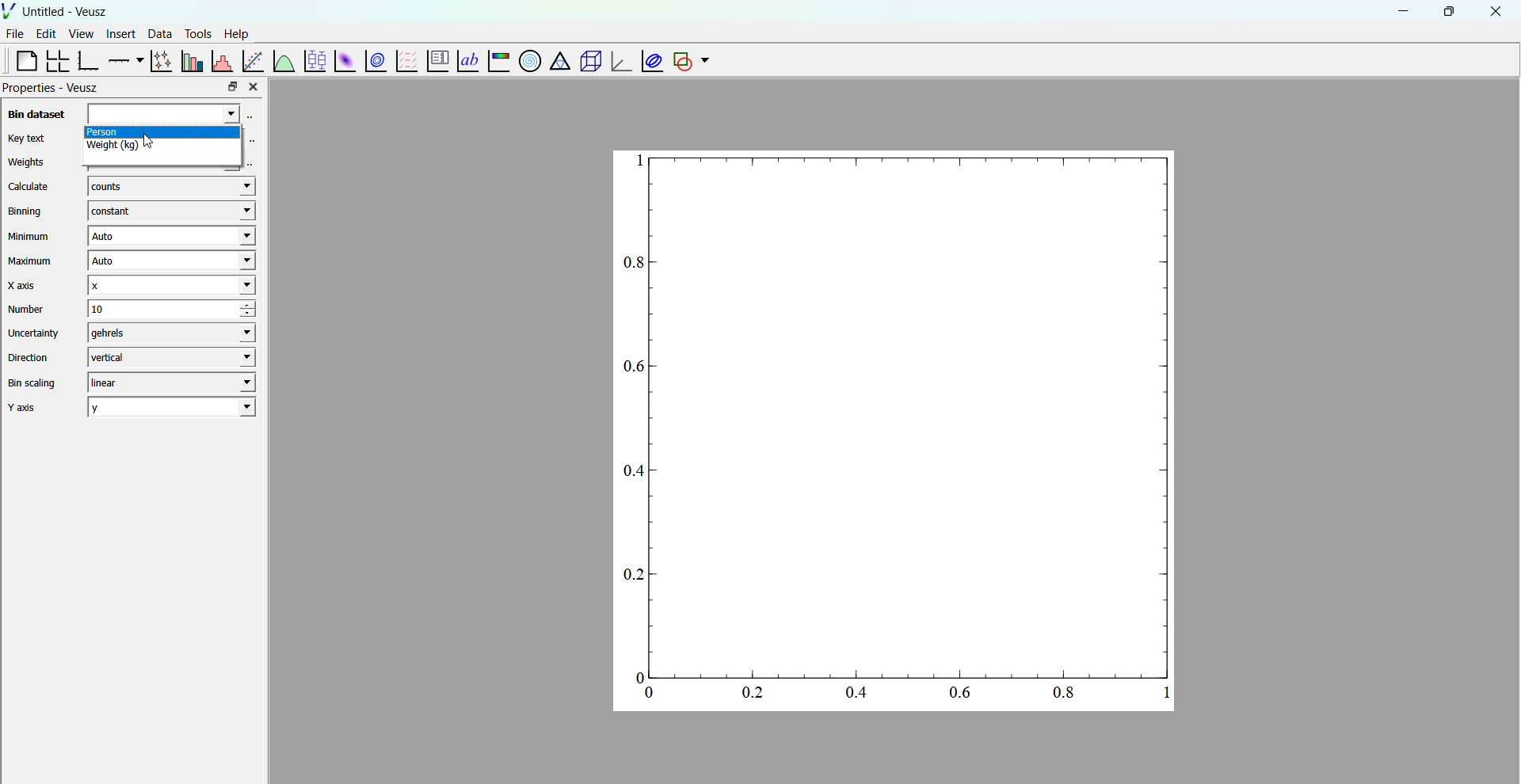 Image resolution: width=1521 pixels, height=784 pixels. What do you see at coordinates (635, 162) in the screenshot?
I see `1` at bounding box center [635, 162].